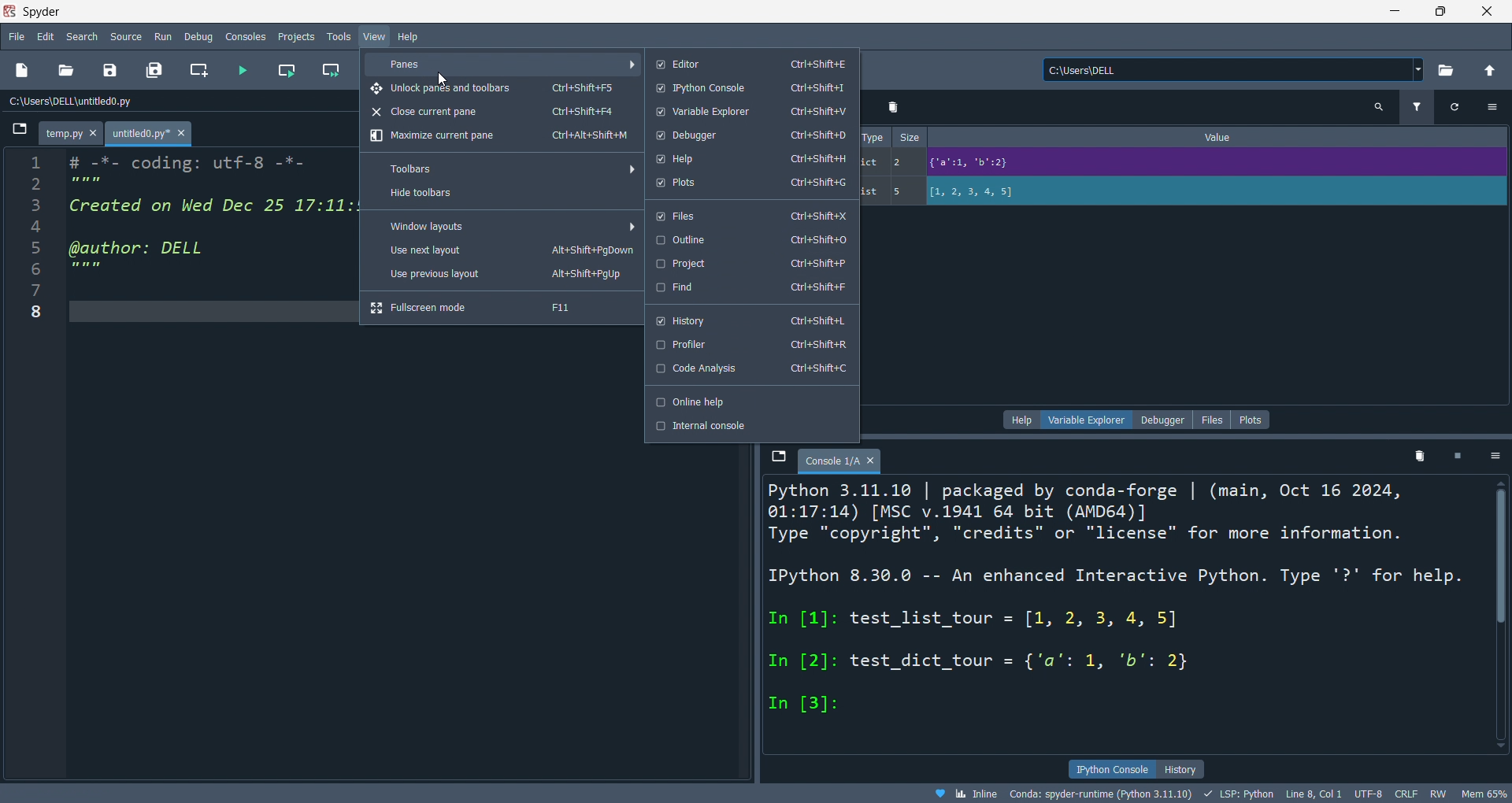 The height and width of the screenshot is (803, 1512). What do you see at coordinates (752, 215) in the screenshot?
I see `files` at bounding box center [752, 215].